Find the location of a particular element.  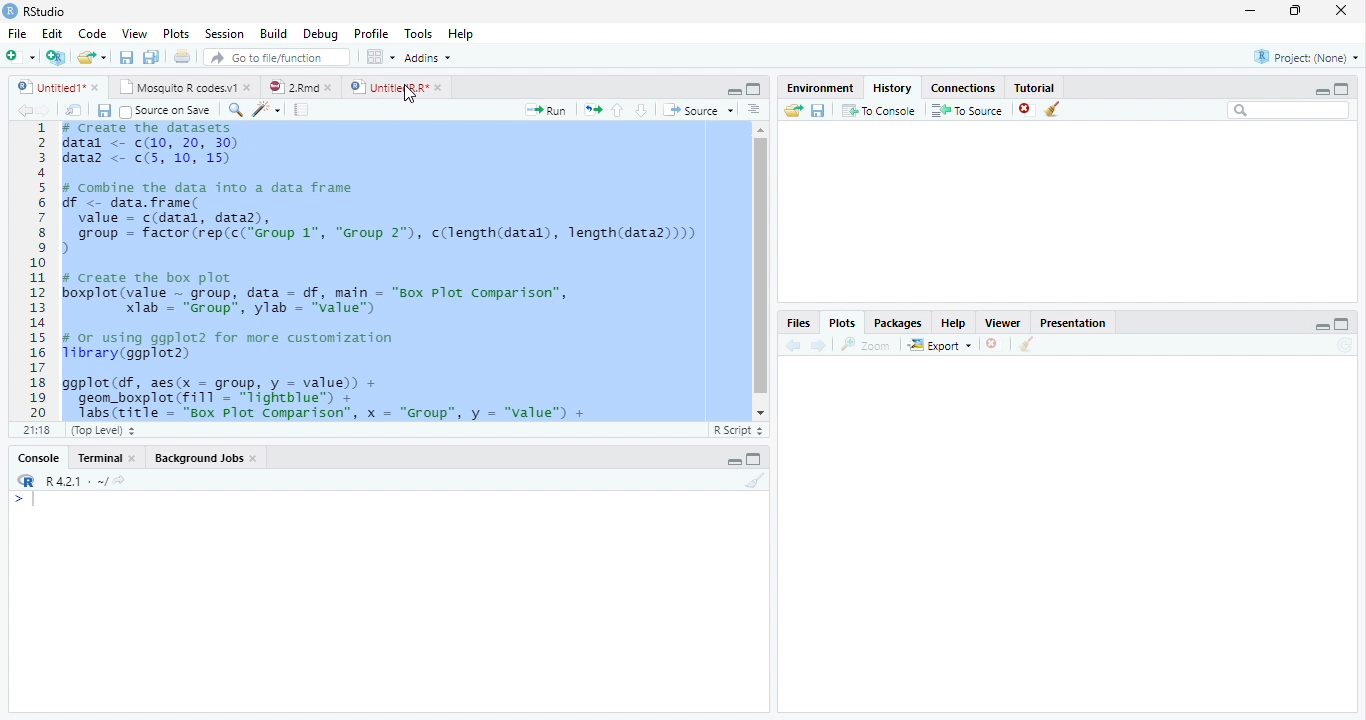

(Top Level) is located at coordinates (101, 431).